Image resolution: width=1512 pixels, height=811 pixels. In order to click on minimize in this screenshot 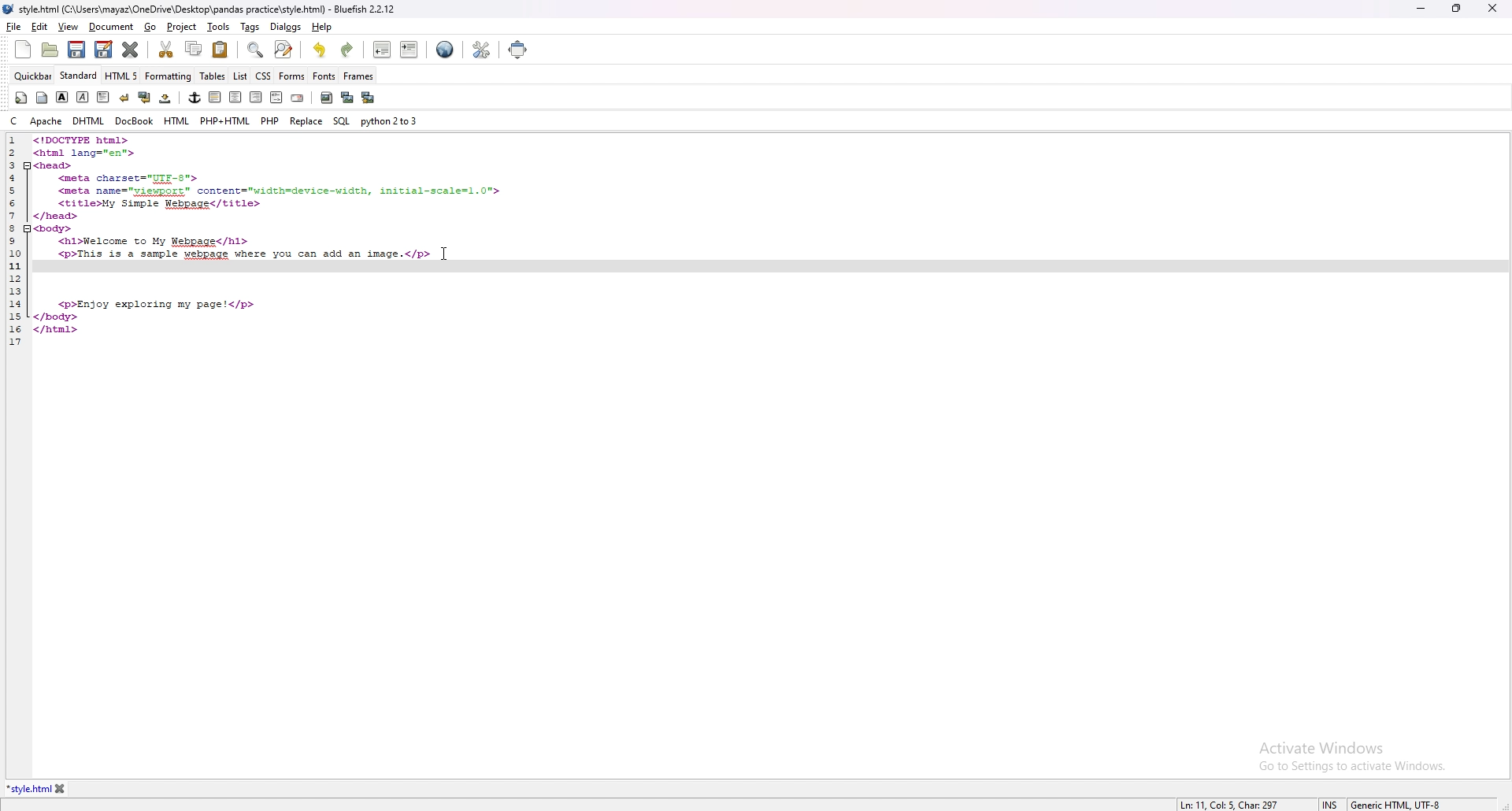, I will do `click(1421, 9)`.